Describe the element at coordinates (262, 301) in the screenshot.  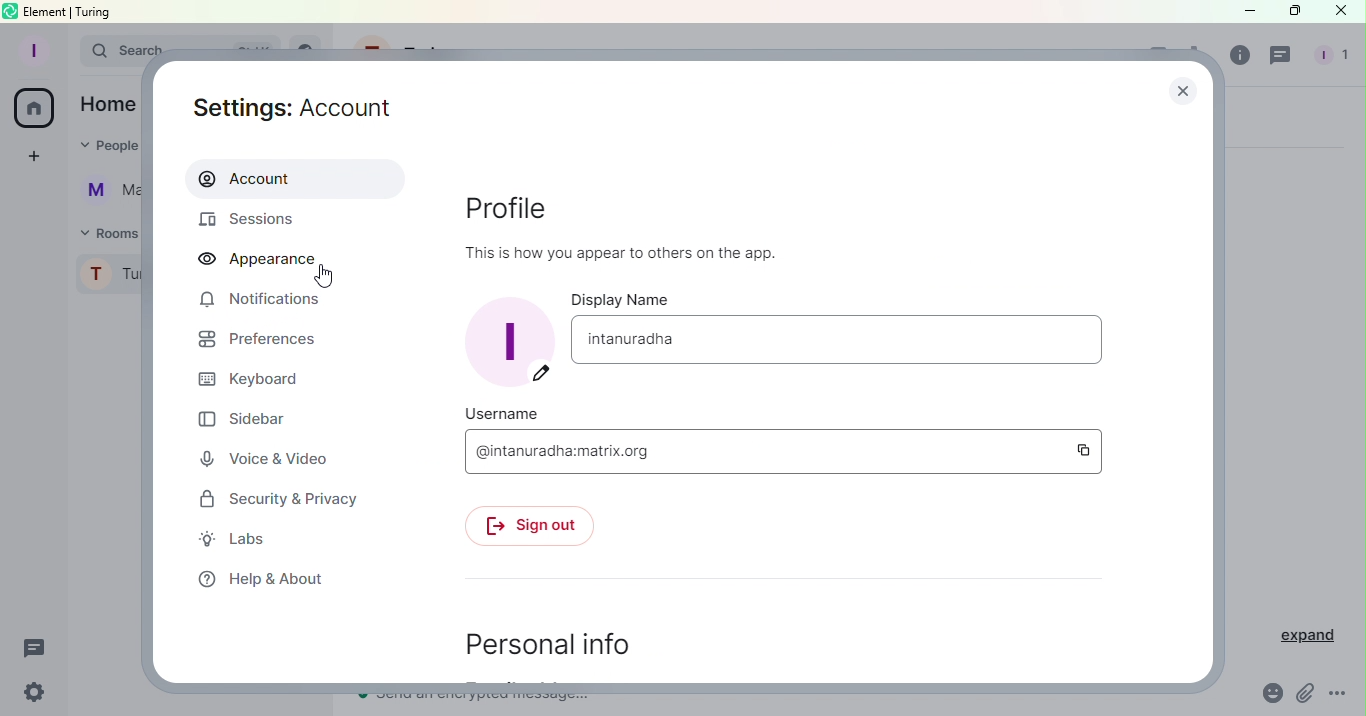
I see `Notifications` at that location.